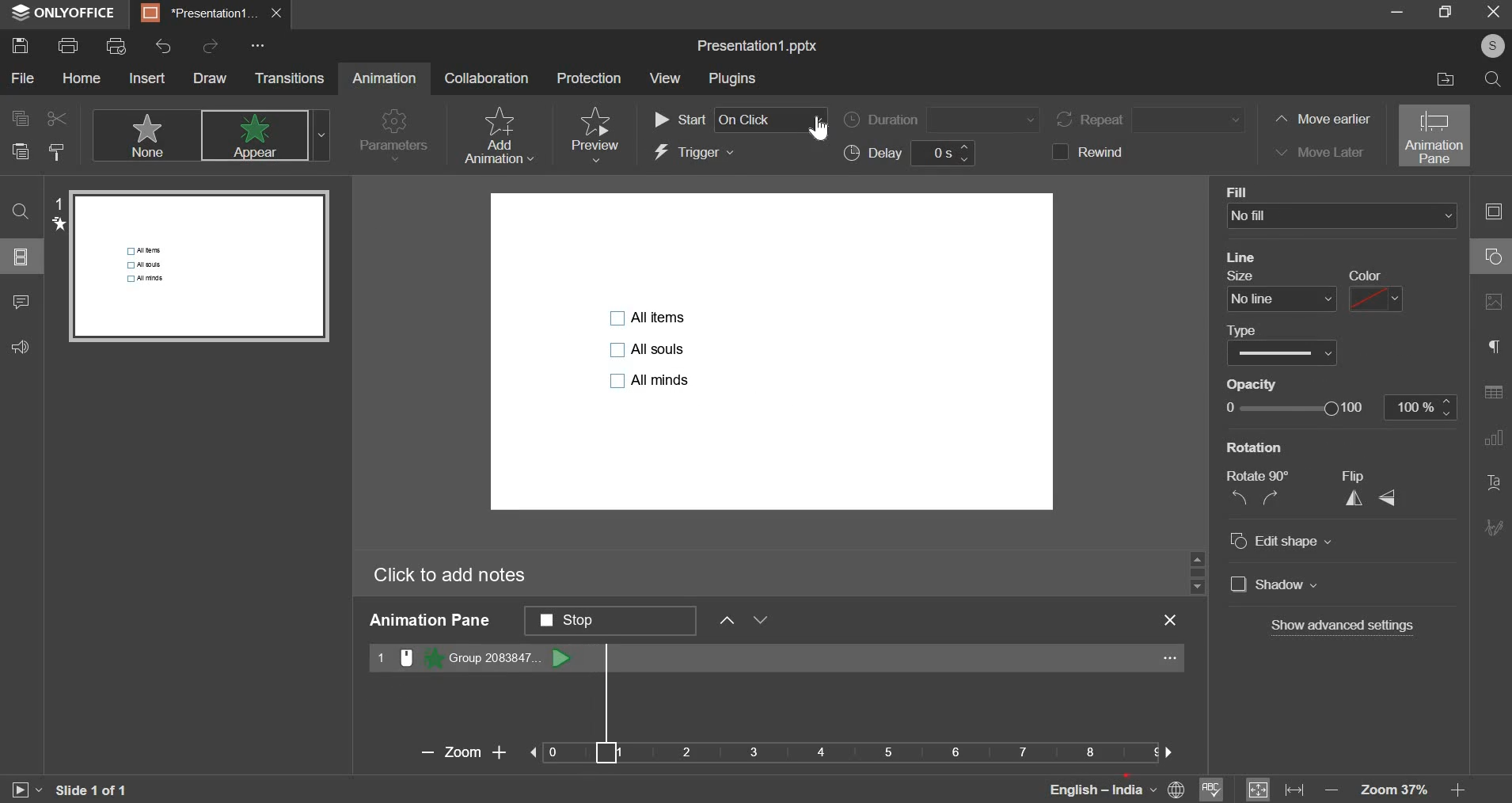 This screenshot has height=803, width=1512. Describe the element at coordinates (487, 77) in the screenshot. I see `collaboration` at that location.